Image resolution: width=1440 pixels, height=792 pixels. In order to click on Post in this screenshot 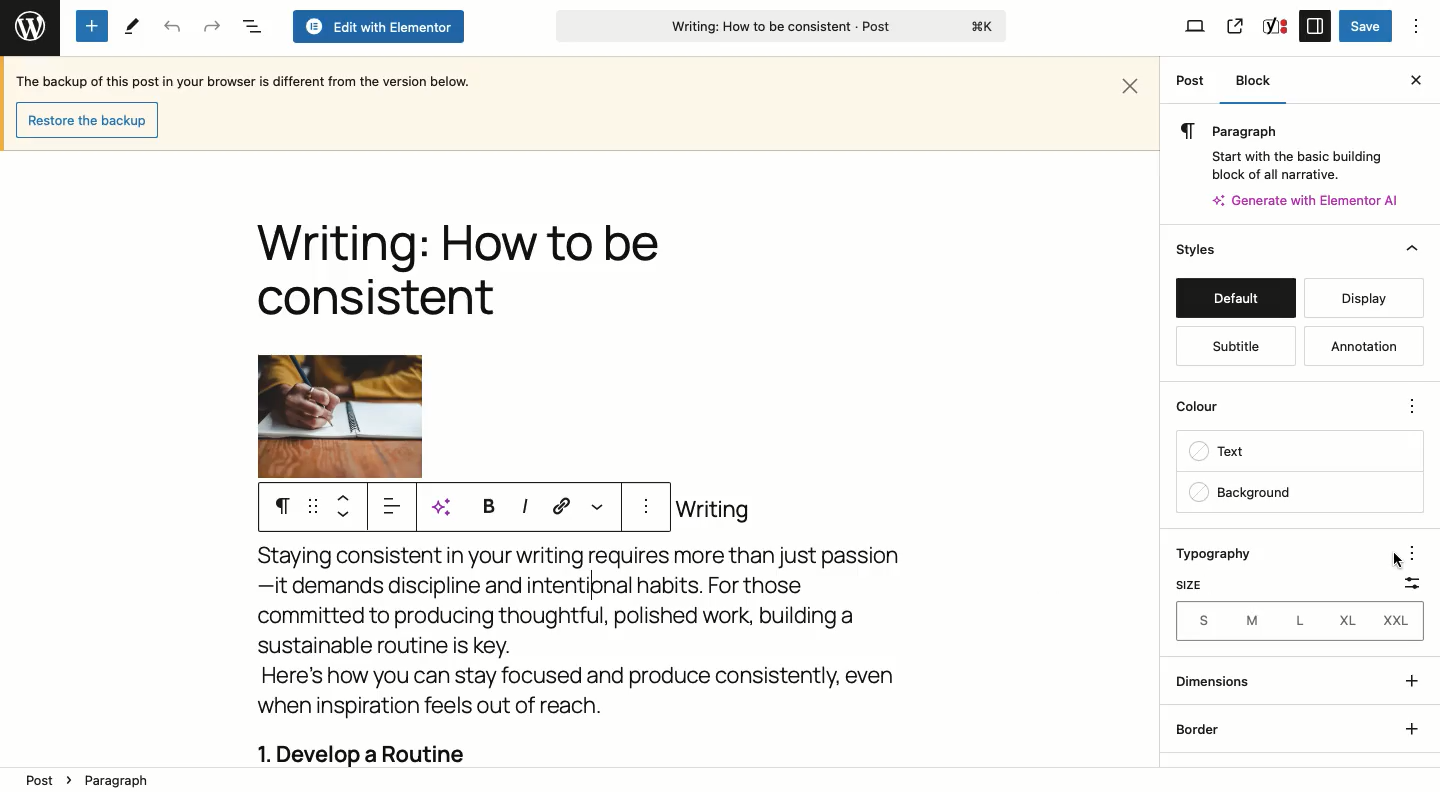, I will do `click(38, 780)`.